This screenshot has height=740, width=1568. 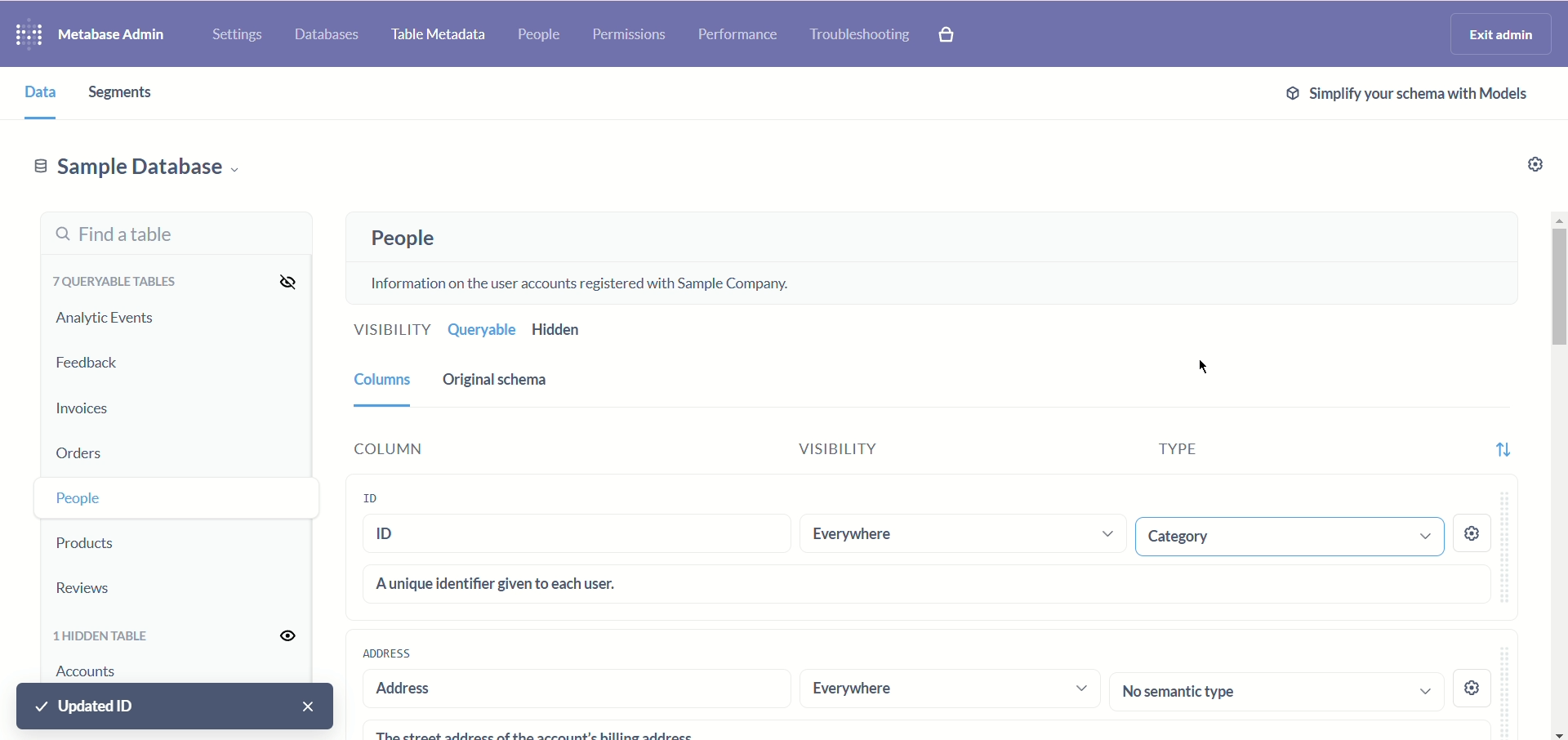 What do you see at coordinates (1557, 475) in the screenshot?
I see `vertical scroll bar` at bounding box center [1557, 475].